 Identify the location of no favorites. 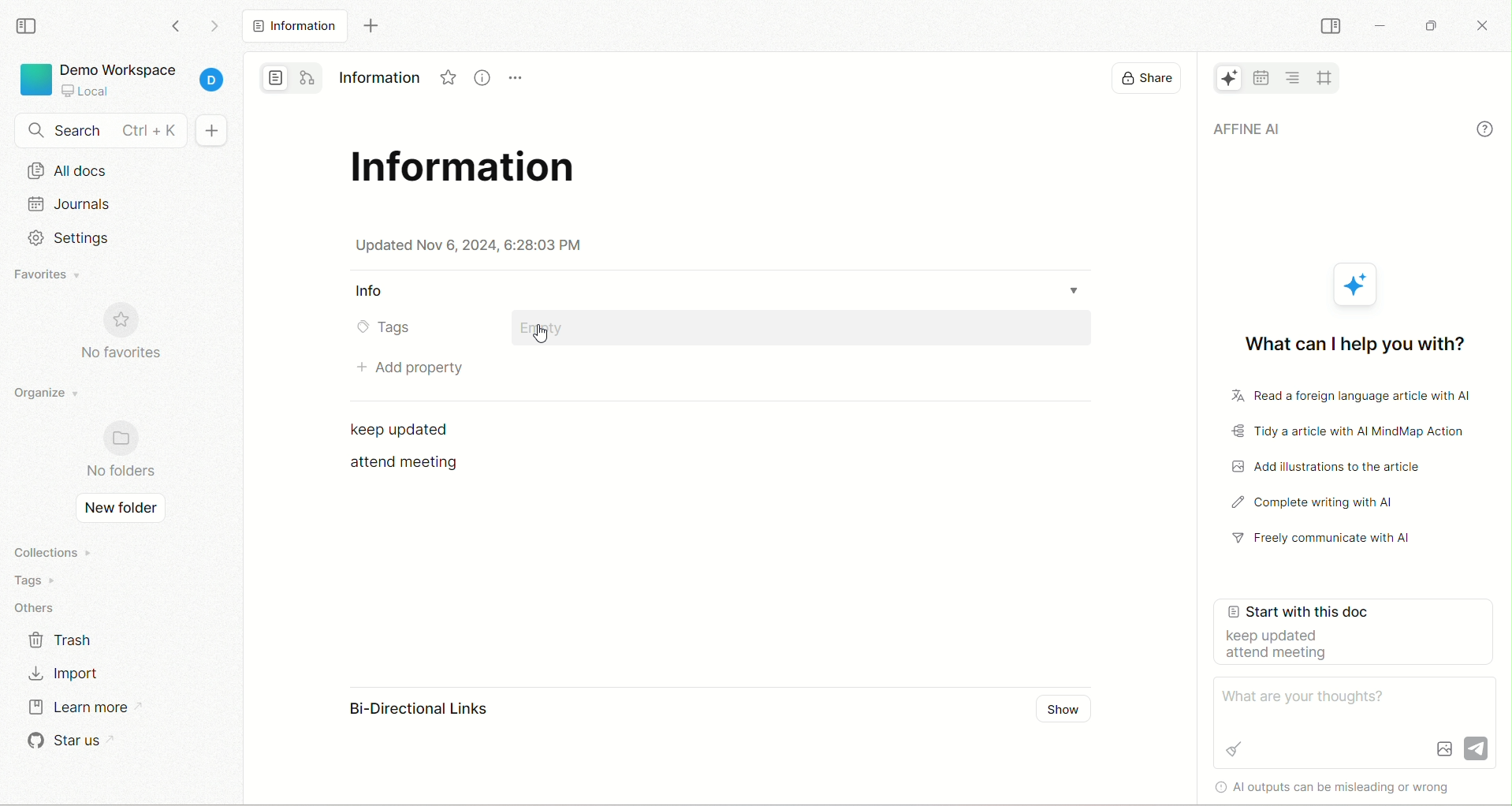
(123, 333).